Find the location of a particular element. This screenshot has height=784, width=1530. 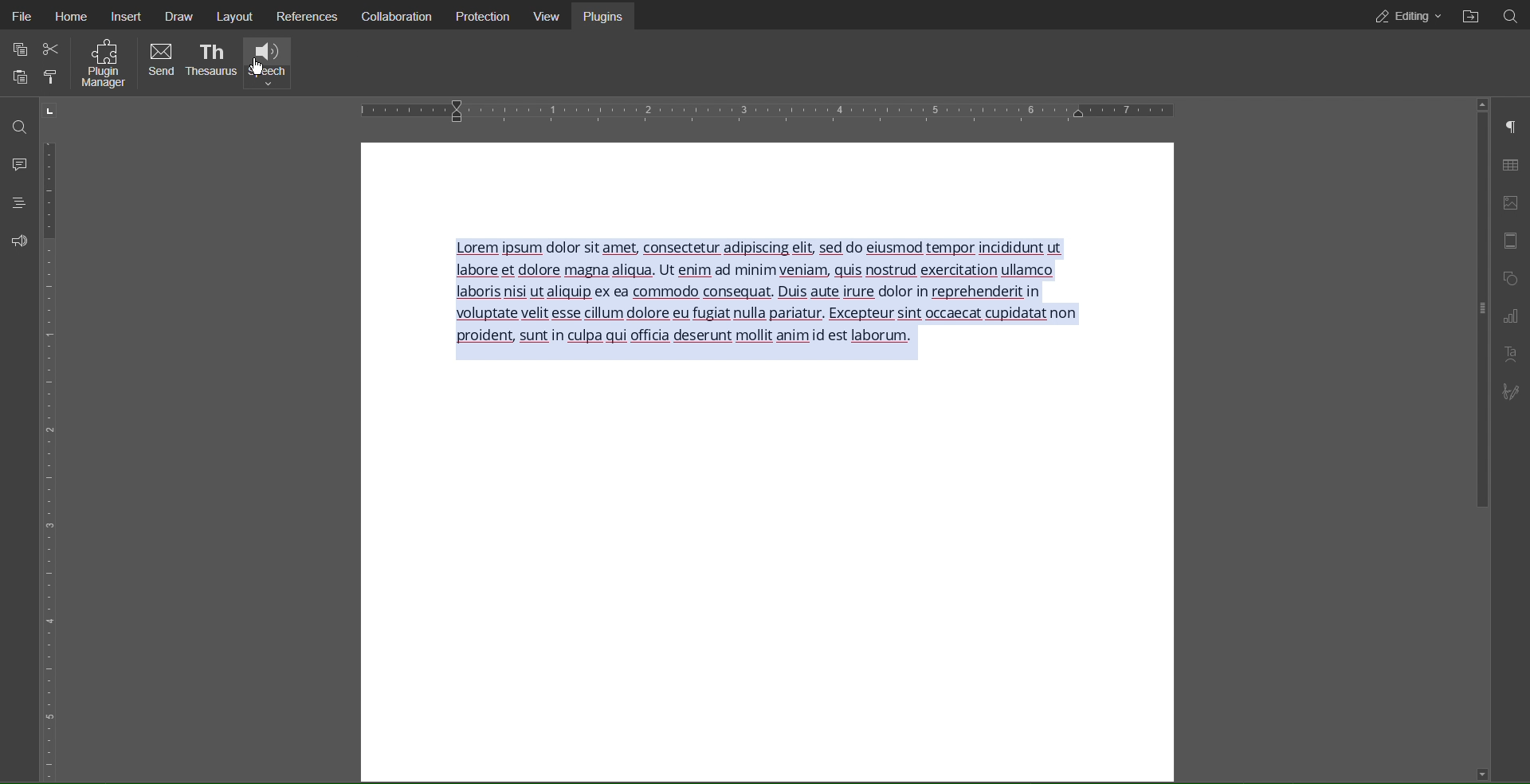

File is located at coordinates (21, 16).